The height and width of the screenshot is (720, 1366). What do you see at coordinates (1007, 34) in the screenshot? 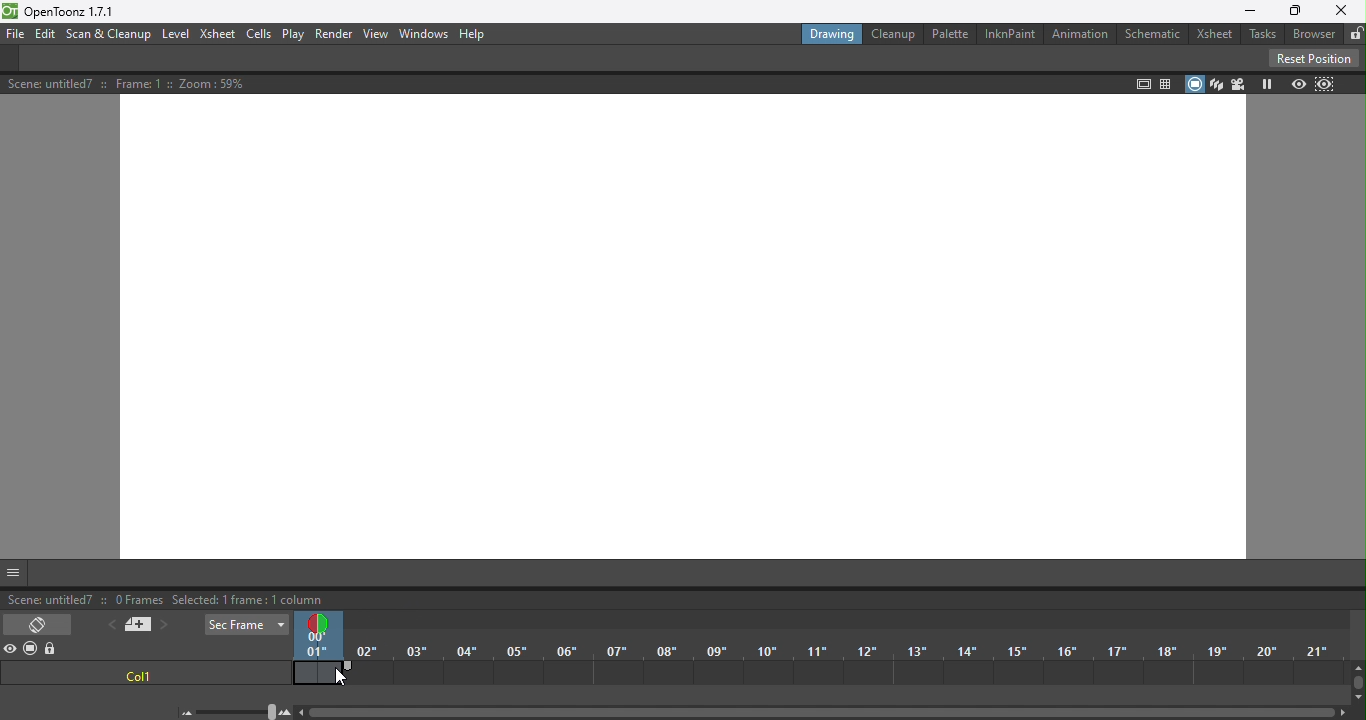
I see `InknPaint` at bounding box center [1007, 34].